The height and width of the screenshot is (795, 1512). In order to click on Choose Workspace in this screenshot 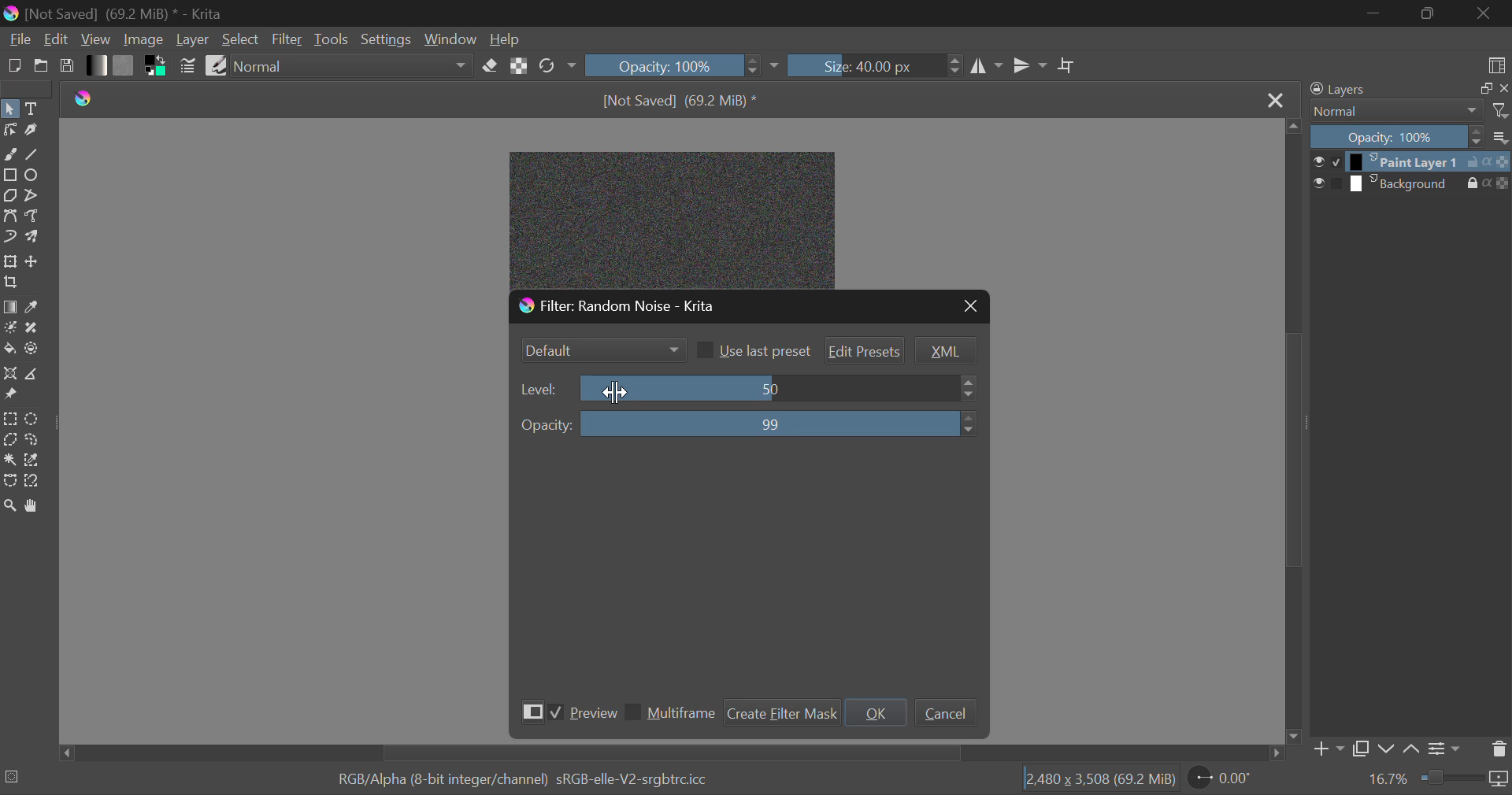, I will do `click(1495, 64)`.